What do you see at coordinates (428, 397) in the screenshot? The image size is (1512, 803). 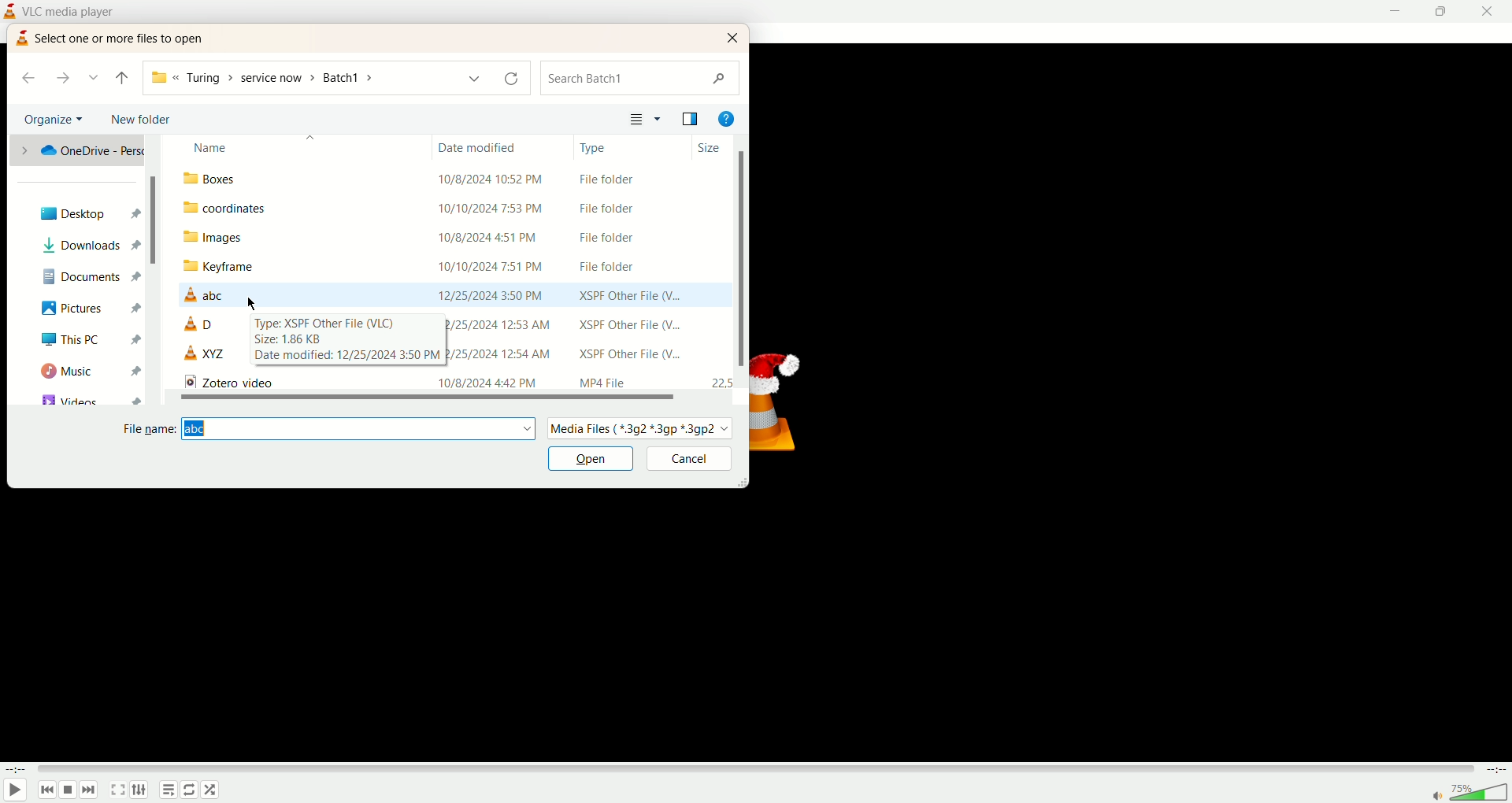 I see `horizontal scroll bar` at bounding box center [428, 397].